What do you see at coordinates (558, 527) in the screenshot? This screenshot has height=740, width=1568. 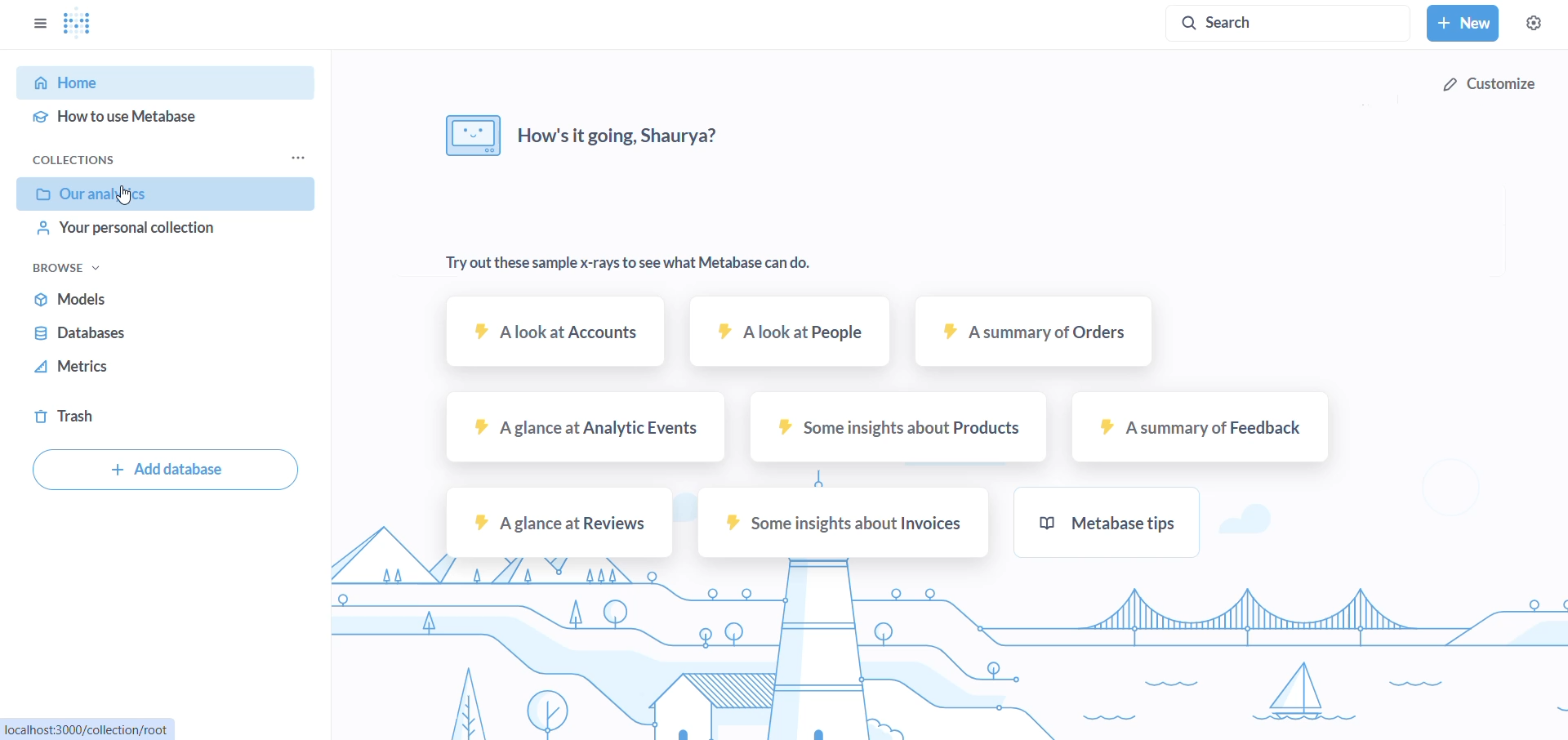 I see `A glance at Reviews sample` at bounding box center [558, 527].